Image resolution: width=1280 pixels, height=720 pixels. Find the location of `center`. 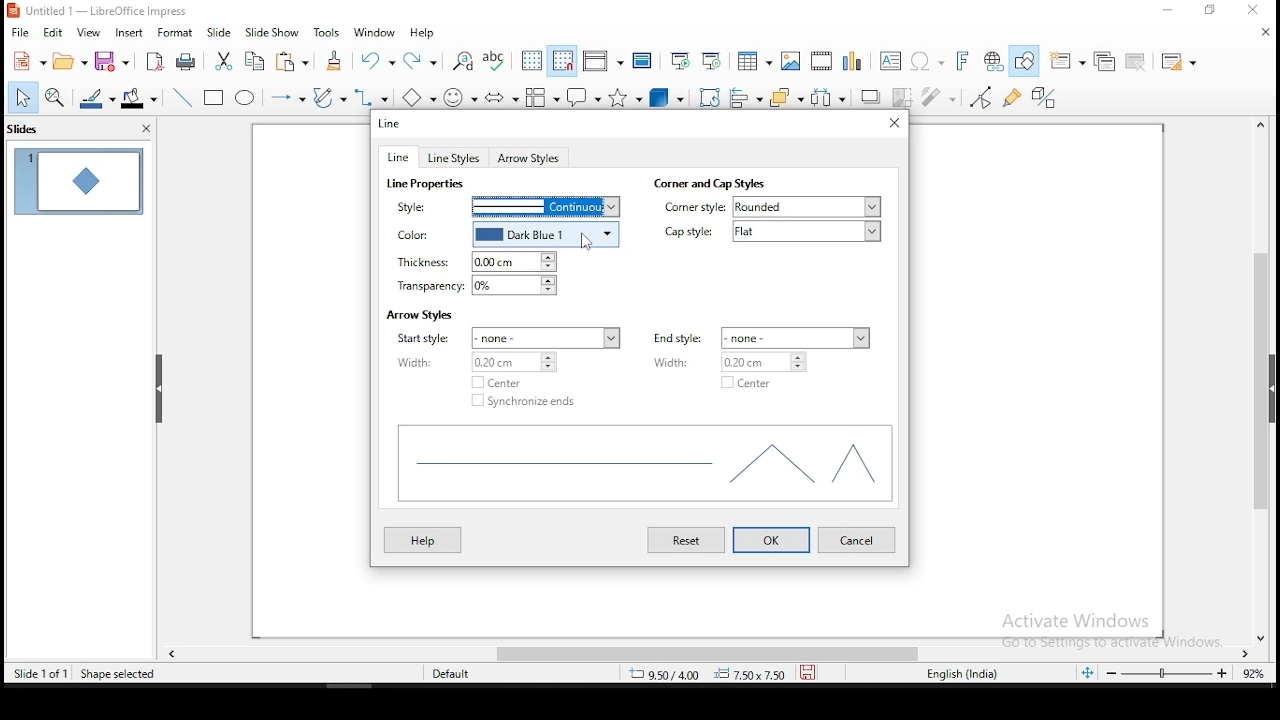

center is located at coordinates (501, 382).